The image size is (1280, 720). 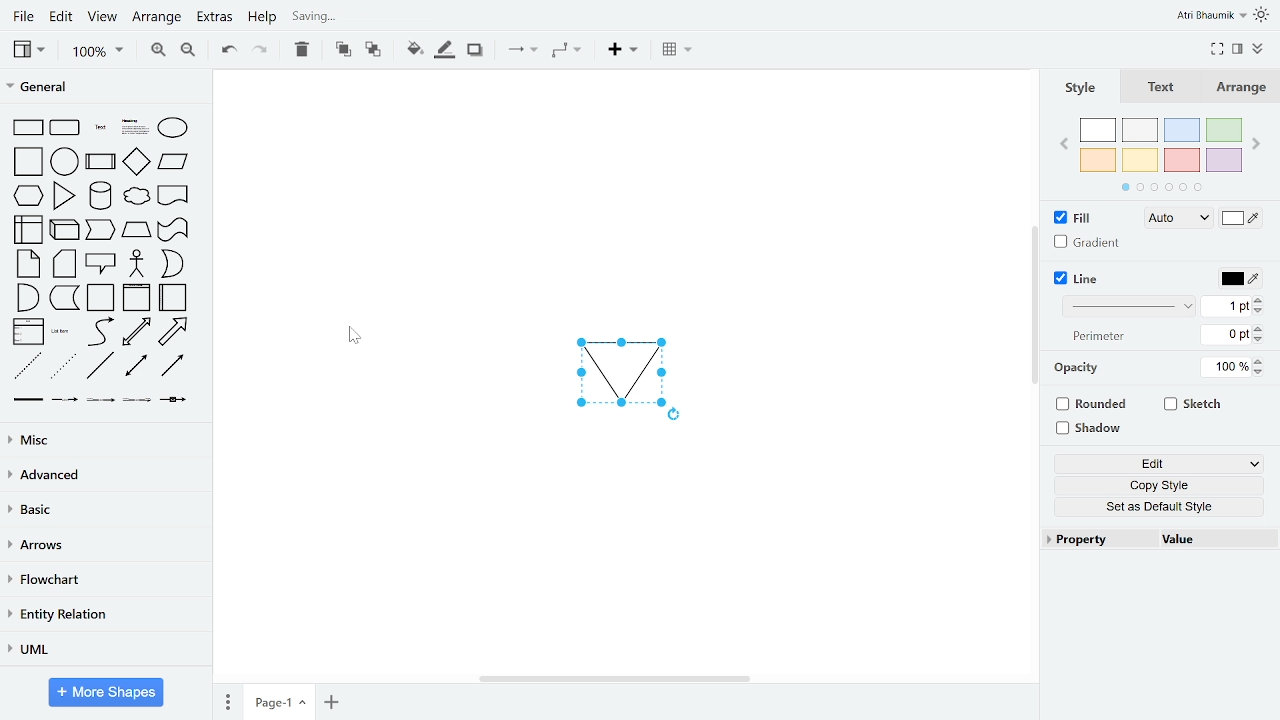 I want to click on collapse, so click(x=1258, y=50).